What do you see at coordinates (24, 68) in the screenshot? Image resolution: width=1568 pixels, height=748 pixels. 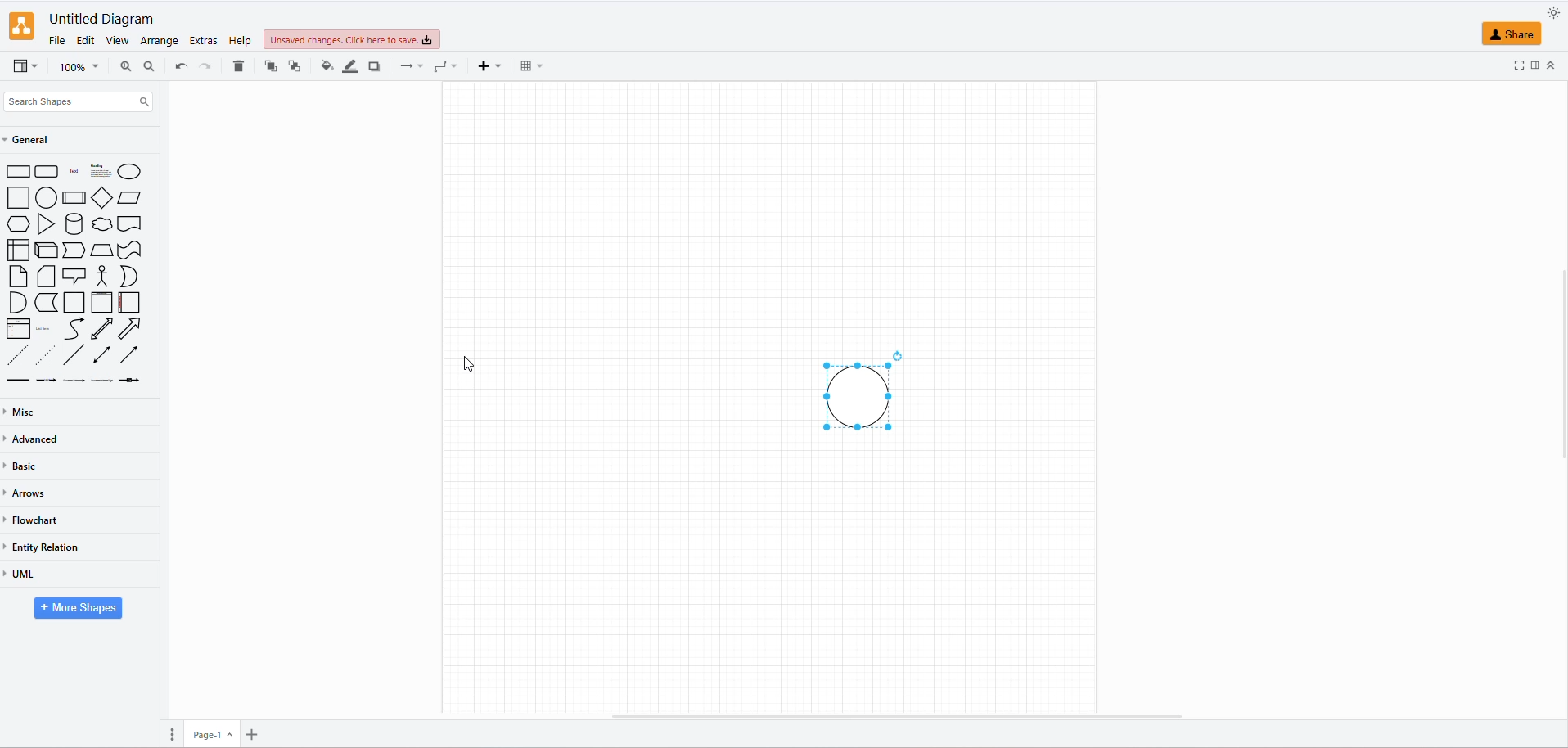 I see `VIEW` at bounding box center [24, 68].